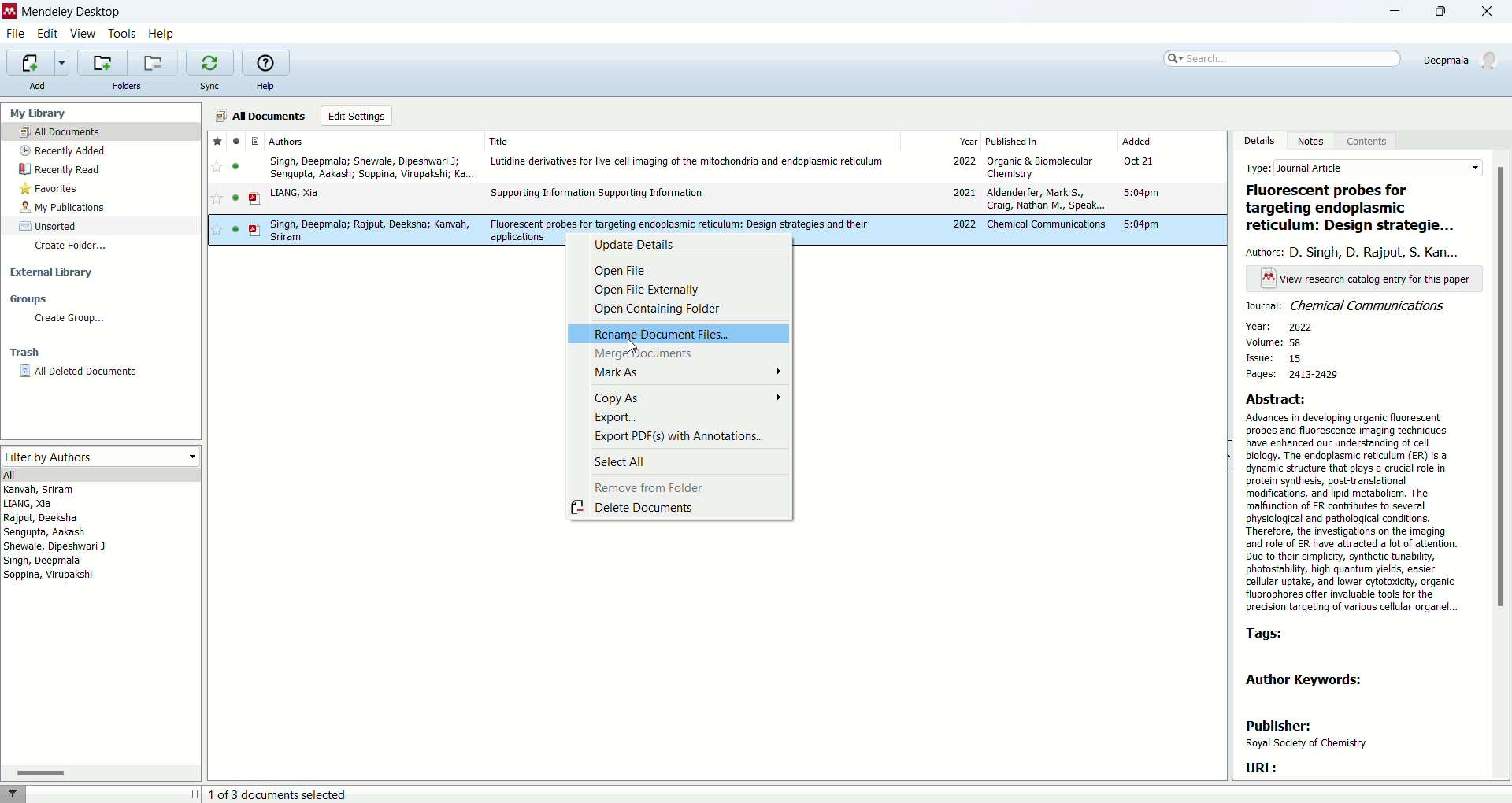  Describe the element at coordinates (681, 416) in the screenshot. I see `export` at that location.